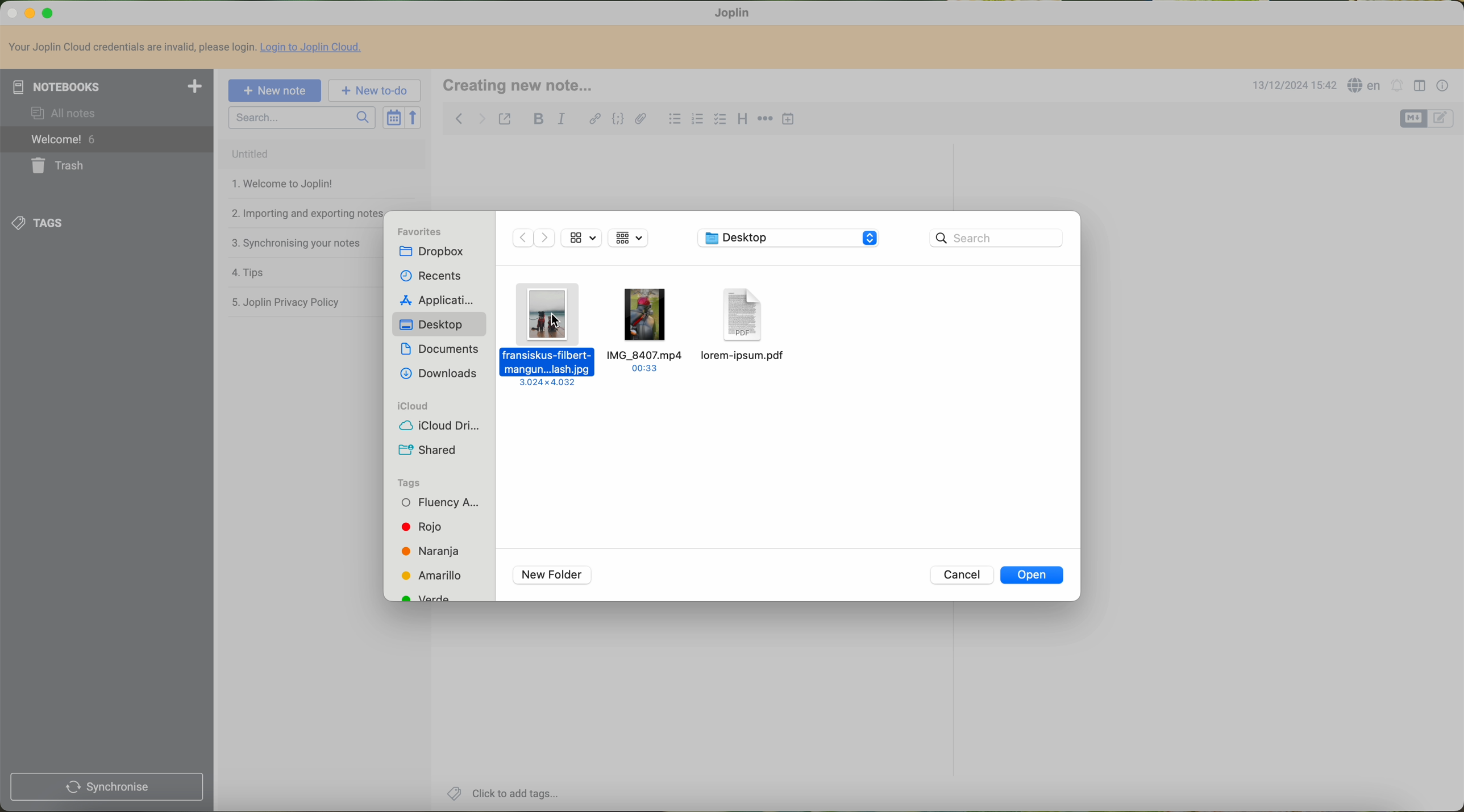 This screenshot has height=812, width=1464. I want to click on insert time, so click(788, 120).